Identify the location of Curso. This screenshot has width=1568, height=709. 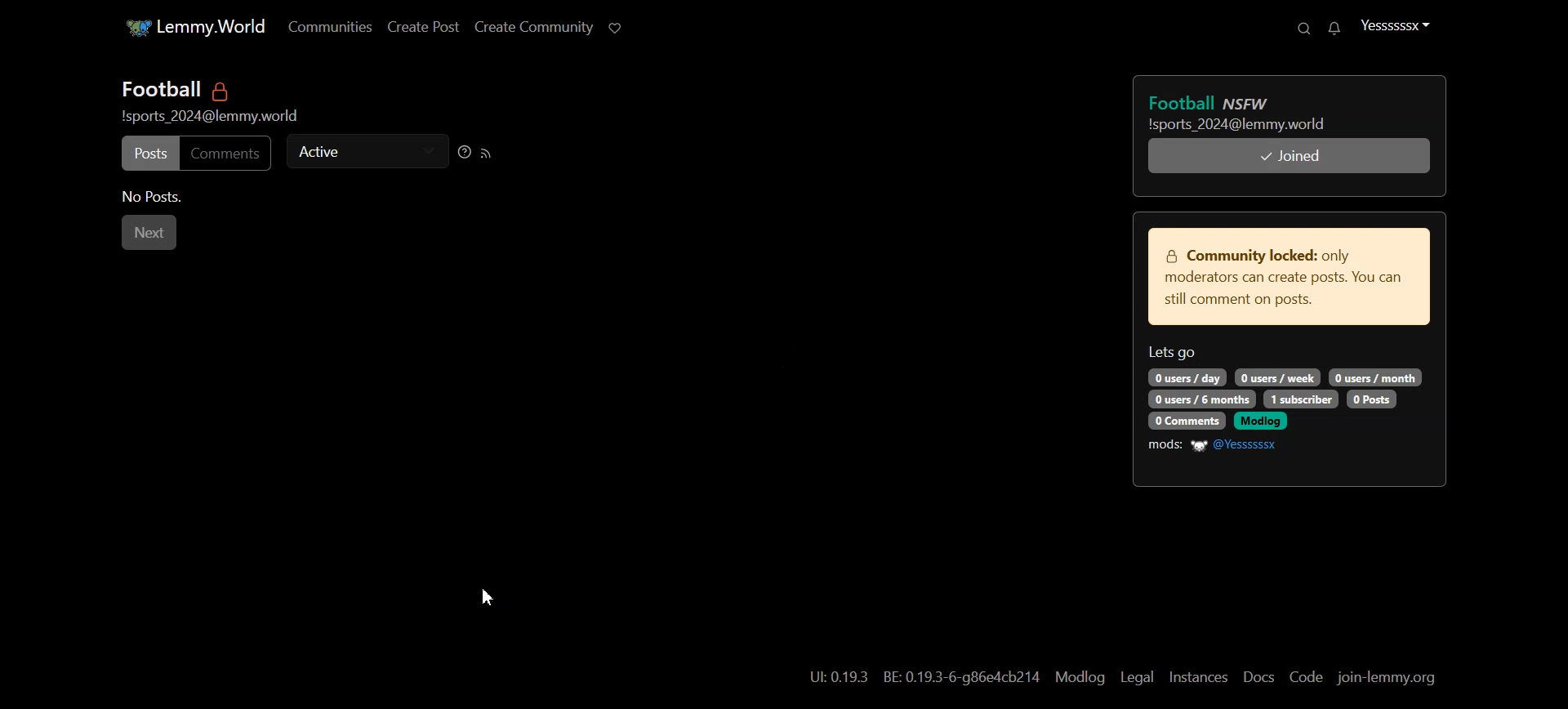
(487, 596).